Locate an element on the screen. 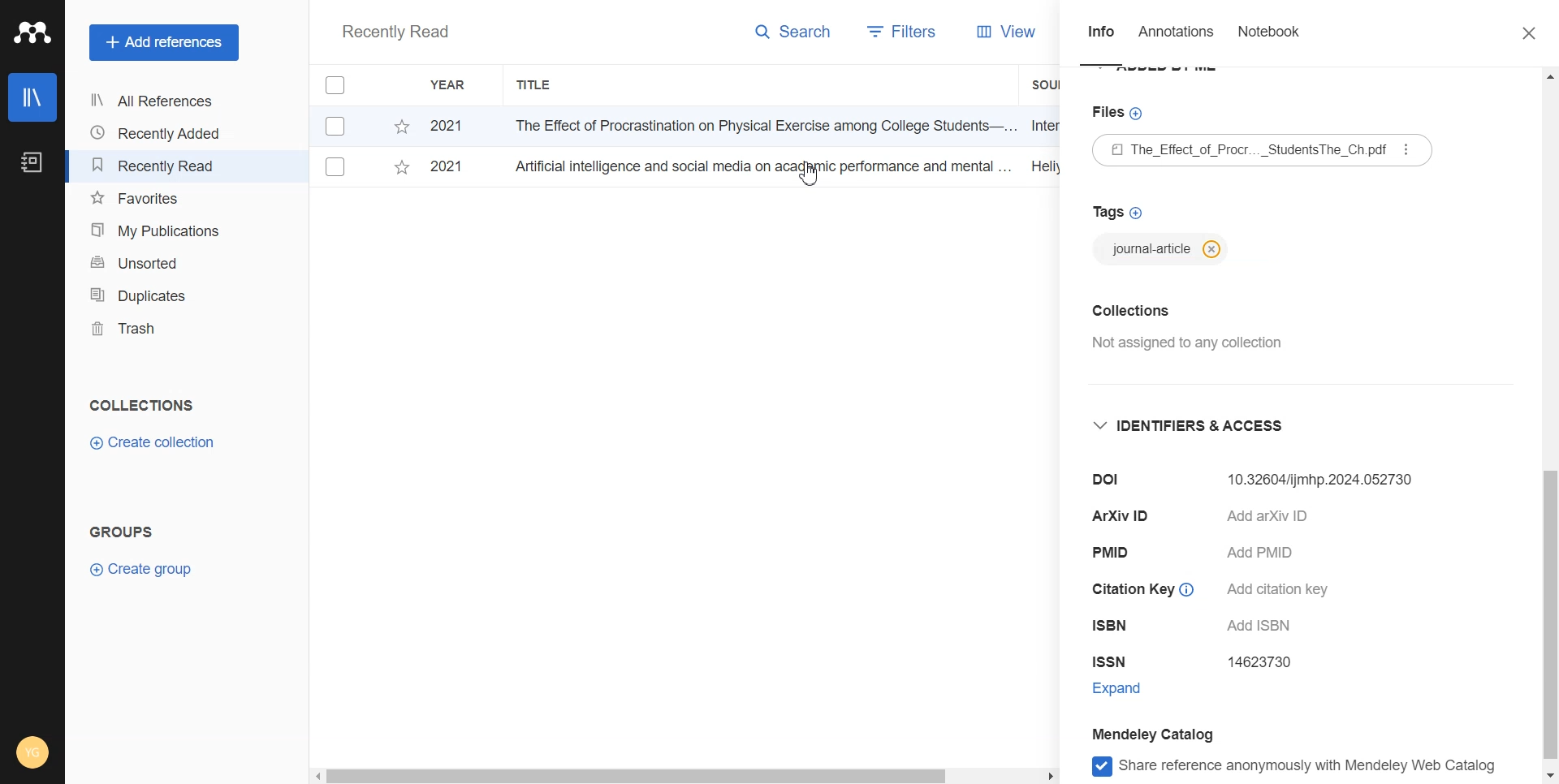  Citation Key © Add citation key is located at coordinates (1217, 592).